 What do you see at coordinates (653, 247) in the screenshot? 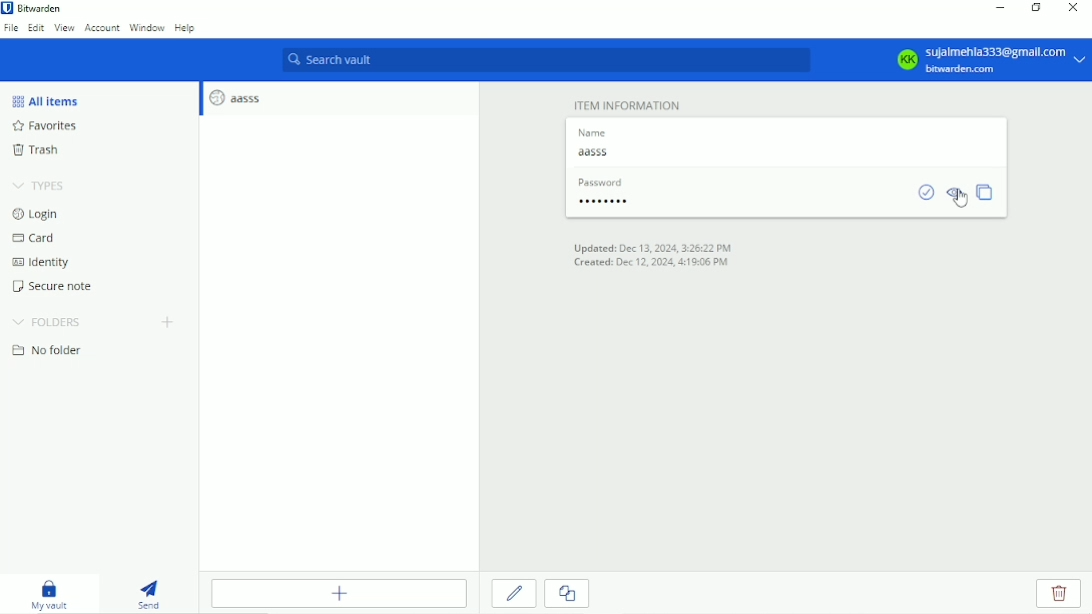
I see `Updated on` at bounding box center [653, 247].